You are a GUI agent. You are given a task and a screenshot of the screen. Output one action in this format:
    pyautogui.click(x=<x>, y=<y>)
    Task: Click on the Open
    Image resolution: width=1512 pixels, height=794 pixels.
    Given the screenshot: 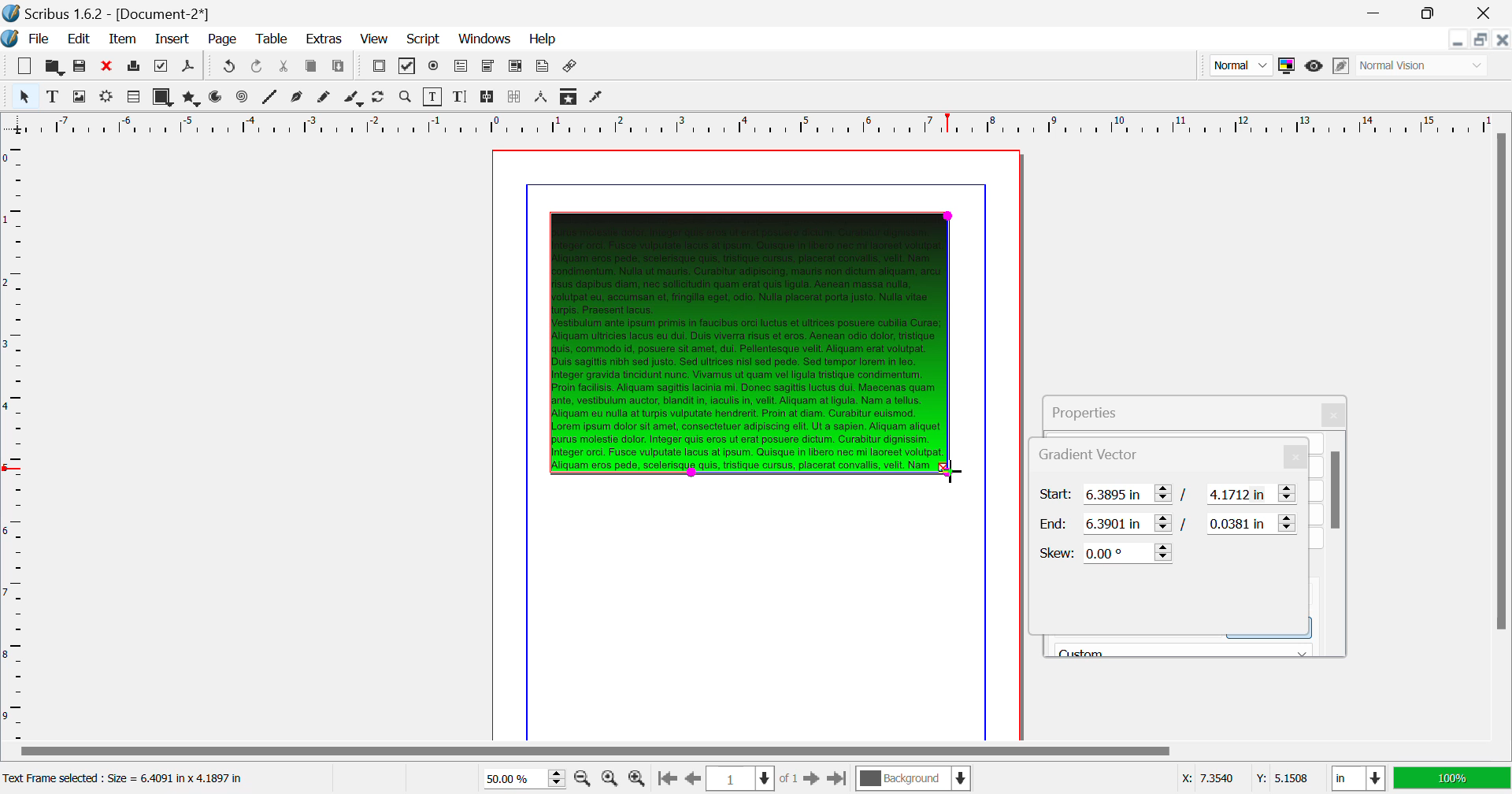 What is the action you would take?
    pyautogui.click(x=54, y=65)
    